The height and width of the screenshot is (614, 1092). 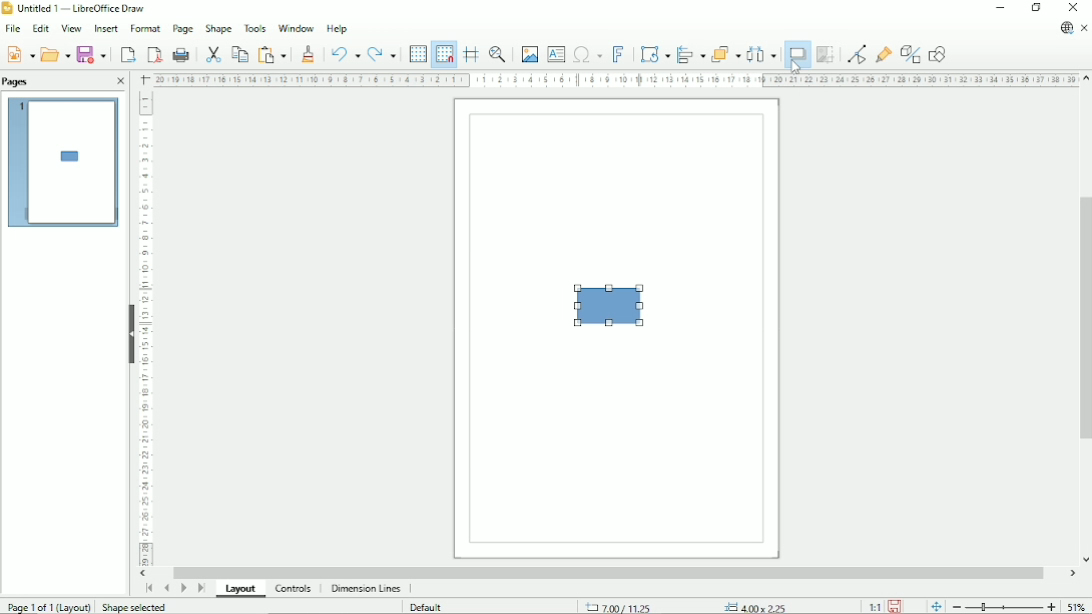 What do you see at coordinates (416, 54) in the screenshot?
I see `Display grid` at bounding box center [416, 54].